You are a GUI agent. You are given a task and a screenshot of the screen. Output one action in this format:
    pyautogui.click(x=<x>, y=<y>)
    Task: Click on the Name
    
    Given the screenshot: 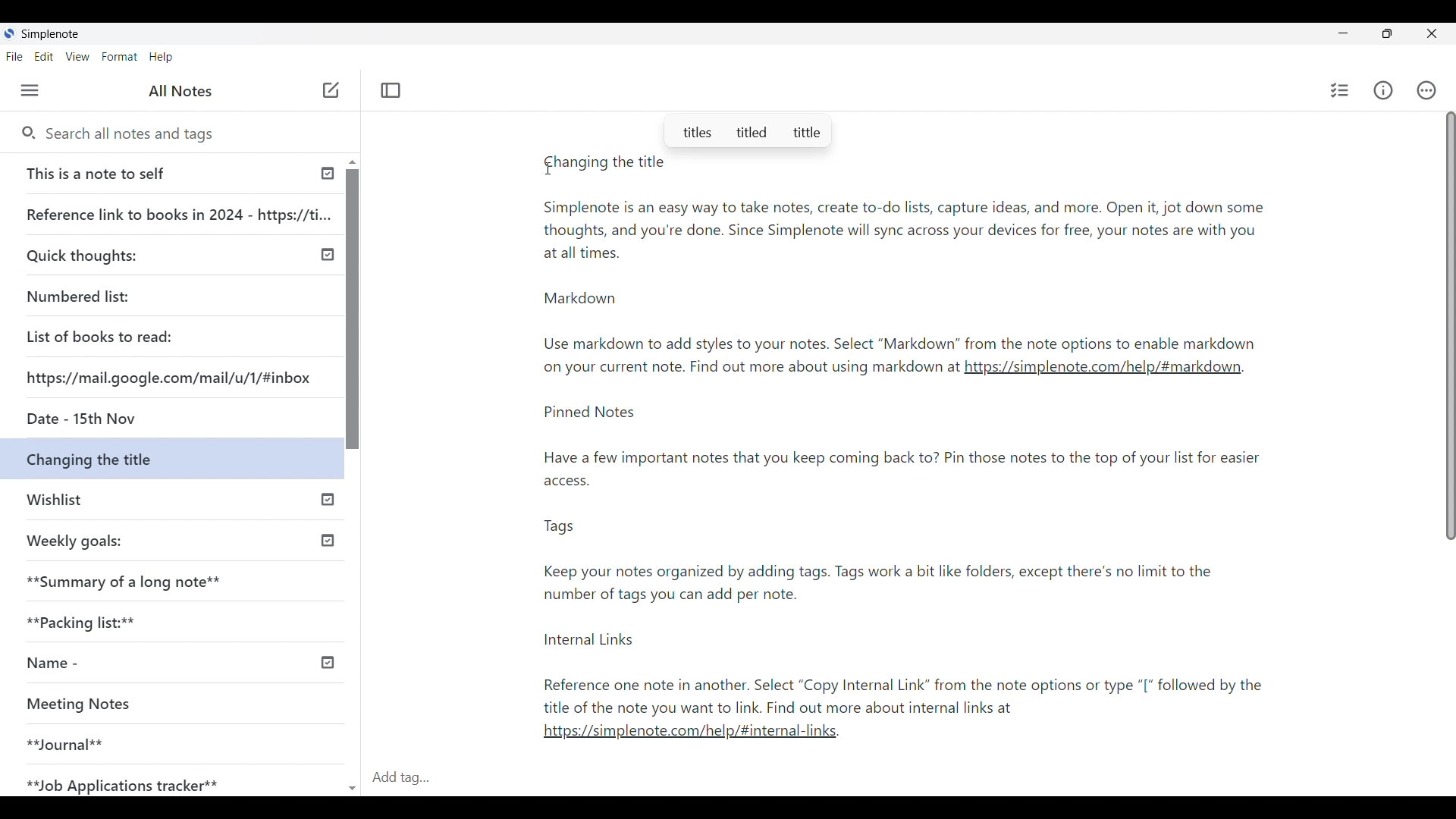 What is the action you would take?
    pyautogui.click(x=47, y=664)
    